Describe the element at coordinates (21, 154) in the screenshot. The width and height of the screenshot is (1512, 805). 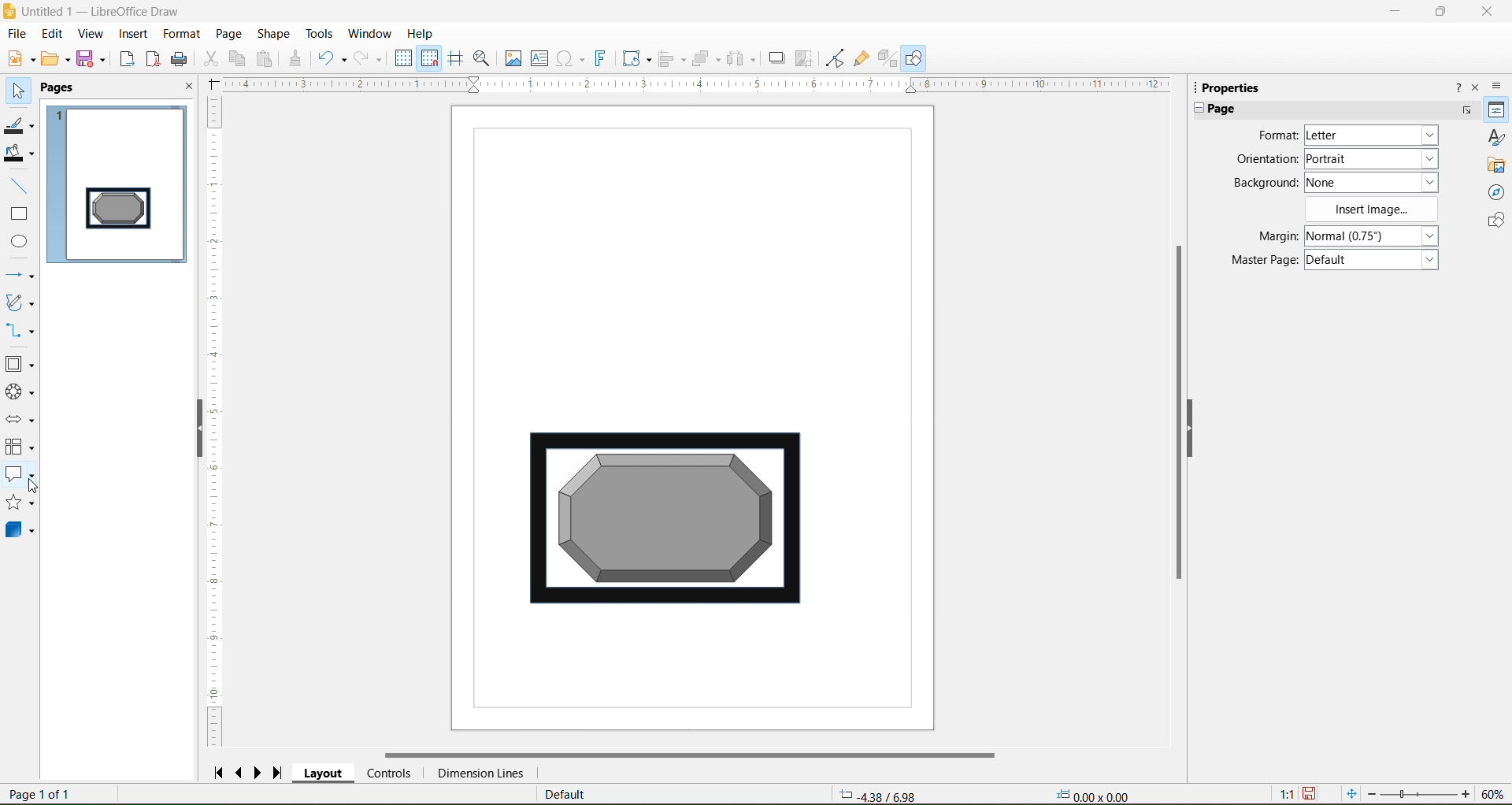
I see `Fill Color` at that location.